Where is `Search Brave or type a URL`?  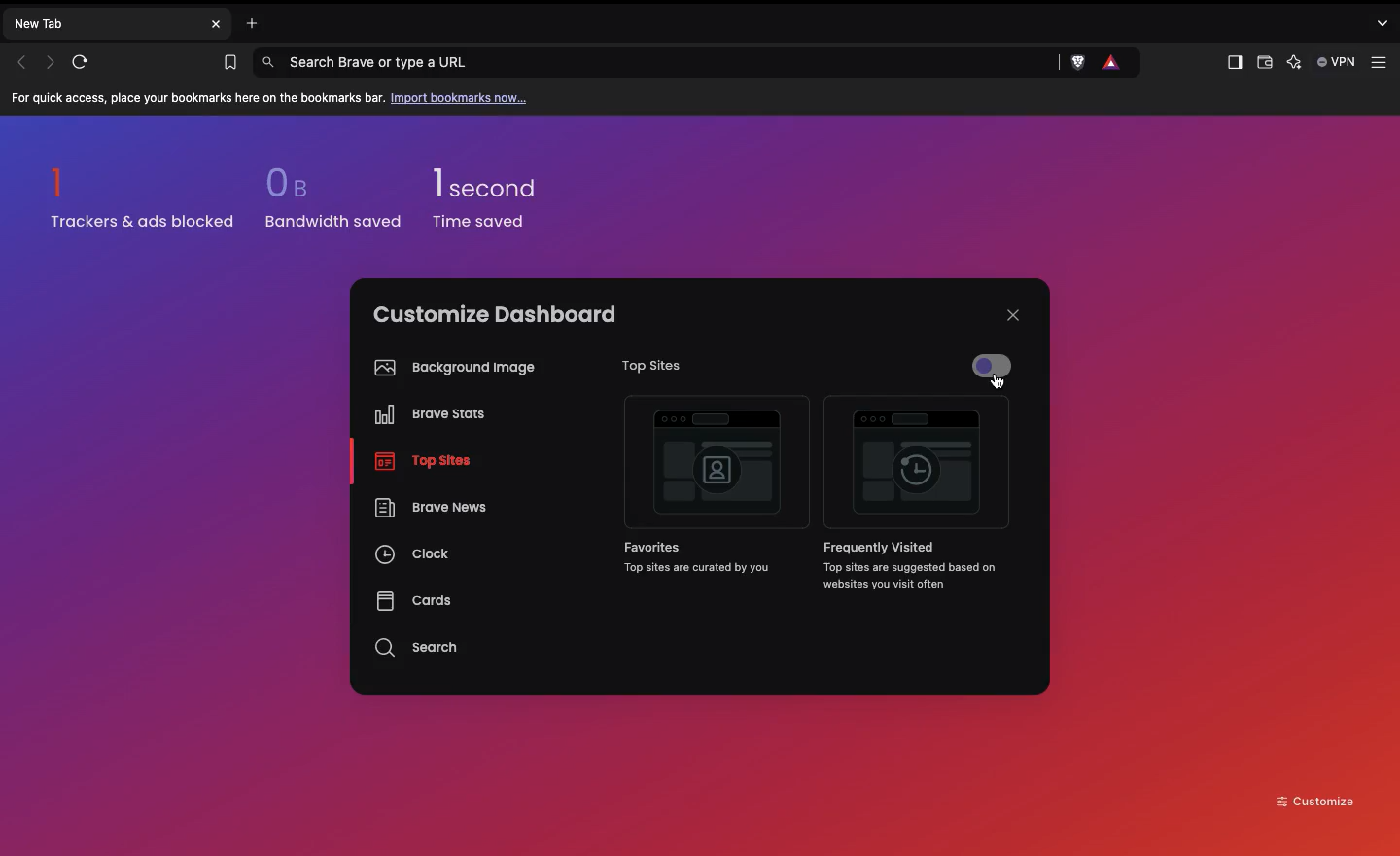
Search Brave or type a URL is located at coordinates (657, 62).